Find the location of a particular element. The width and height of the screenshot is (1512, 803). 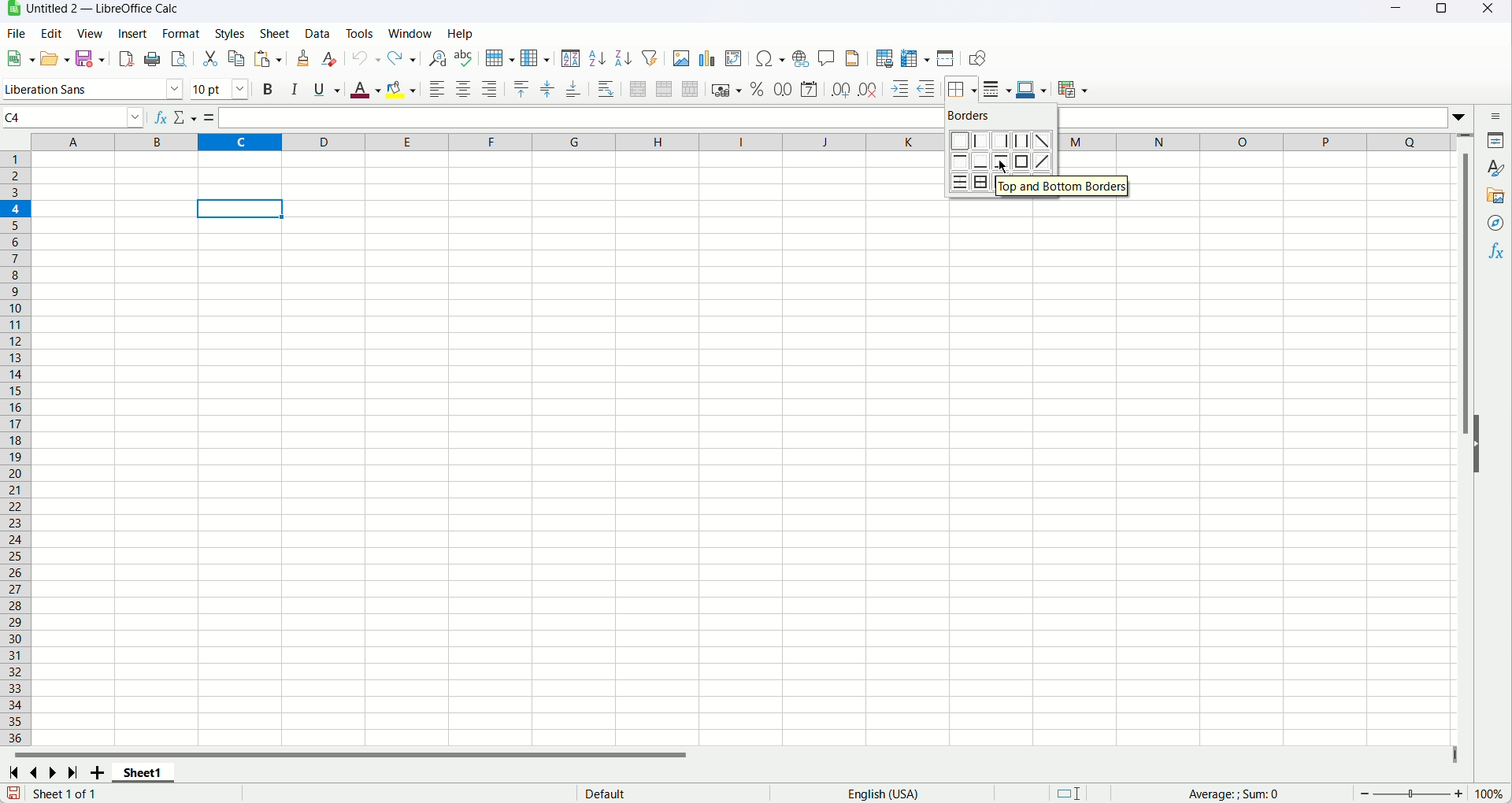

Sort descending is located at coordinates (623, 59).